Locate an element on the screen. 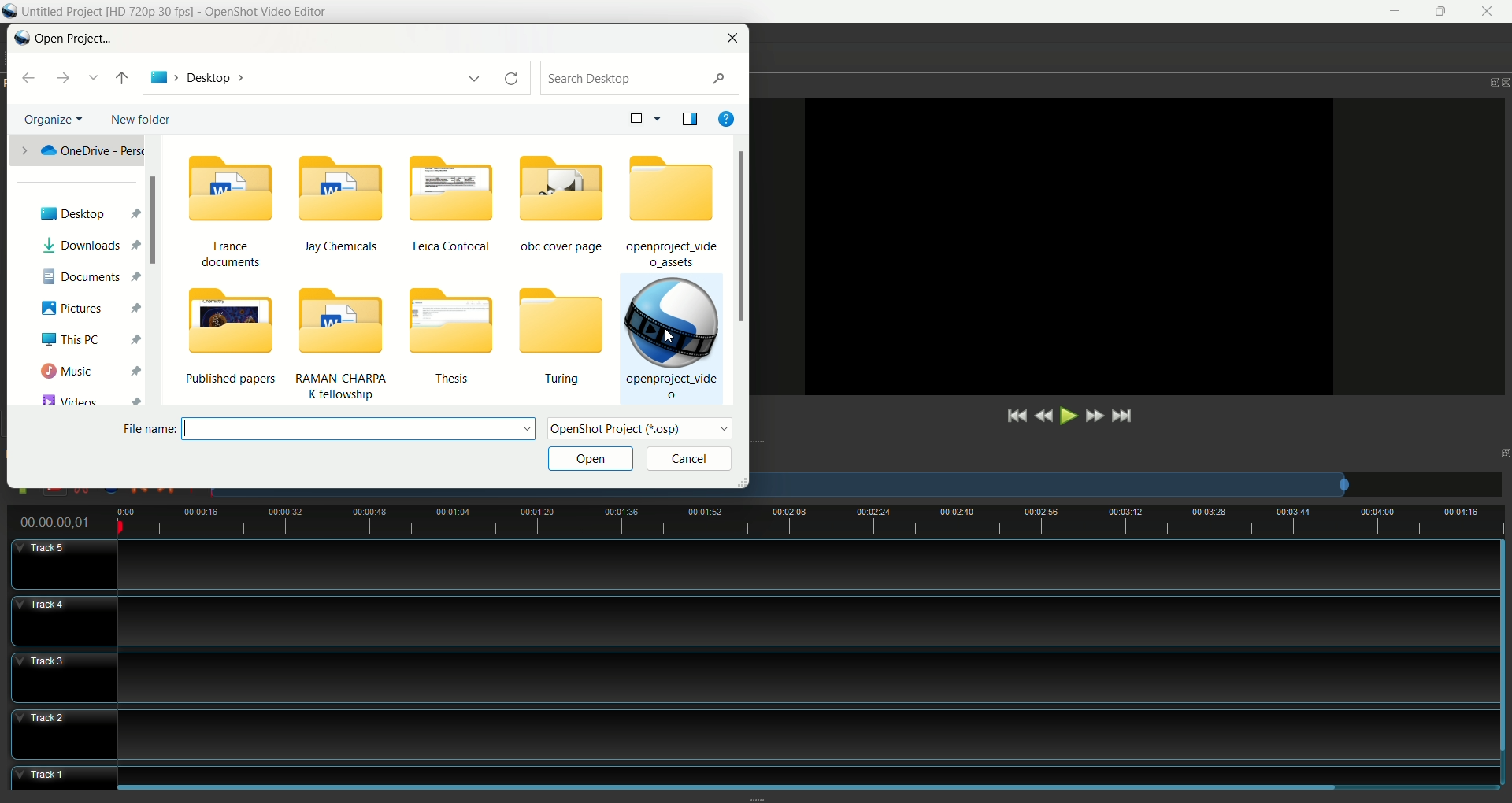  close is located at coordinates (1503, 76).